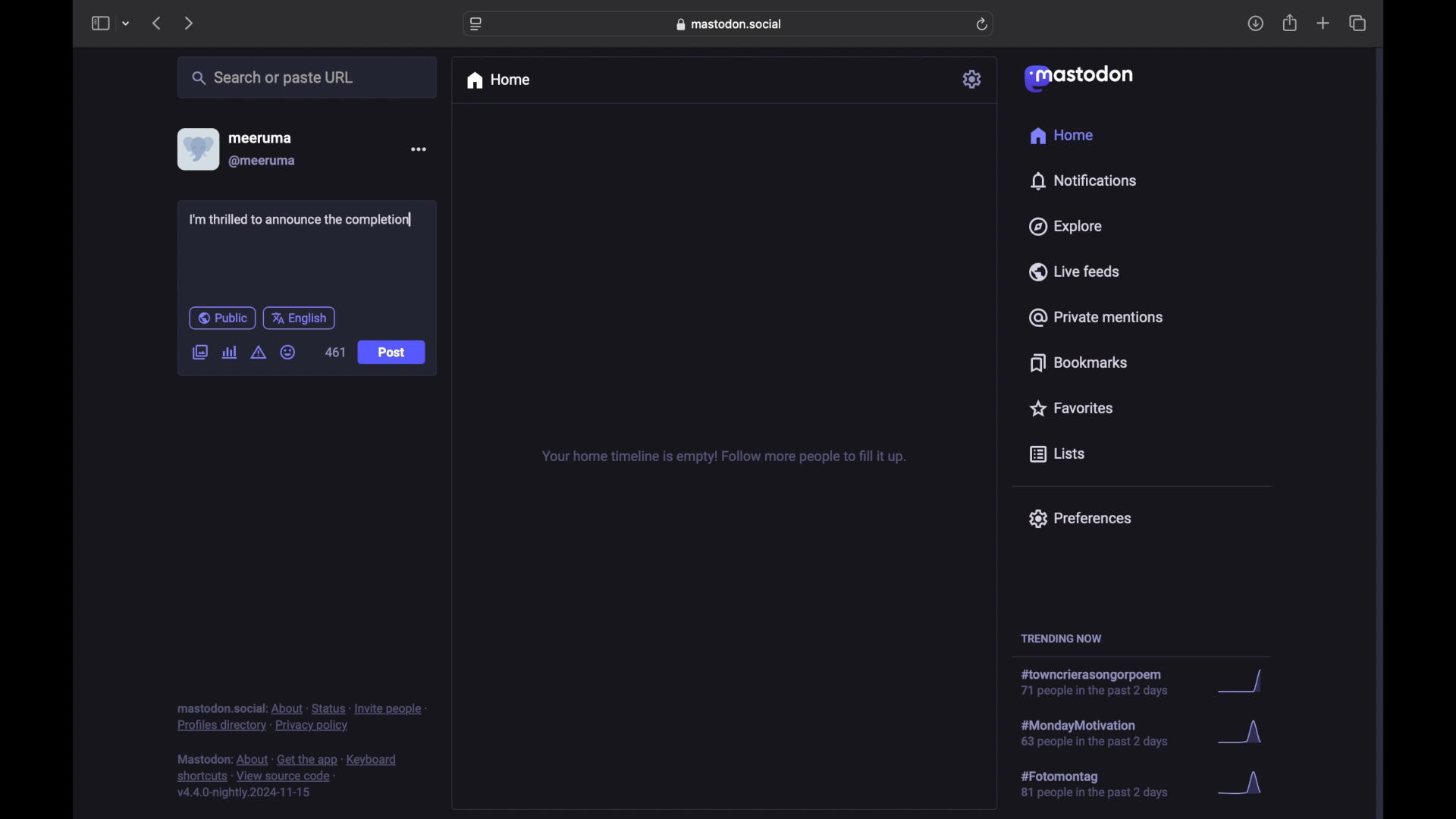 This screenshot has width=1456, height=819. What do you see at coordinates (409, 220) in the screenshot?
I see `text cursor` at bounding box center [409, 220].